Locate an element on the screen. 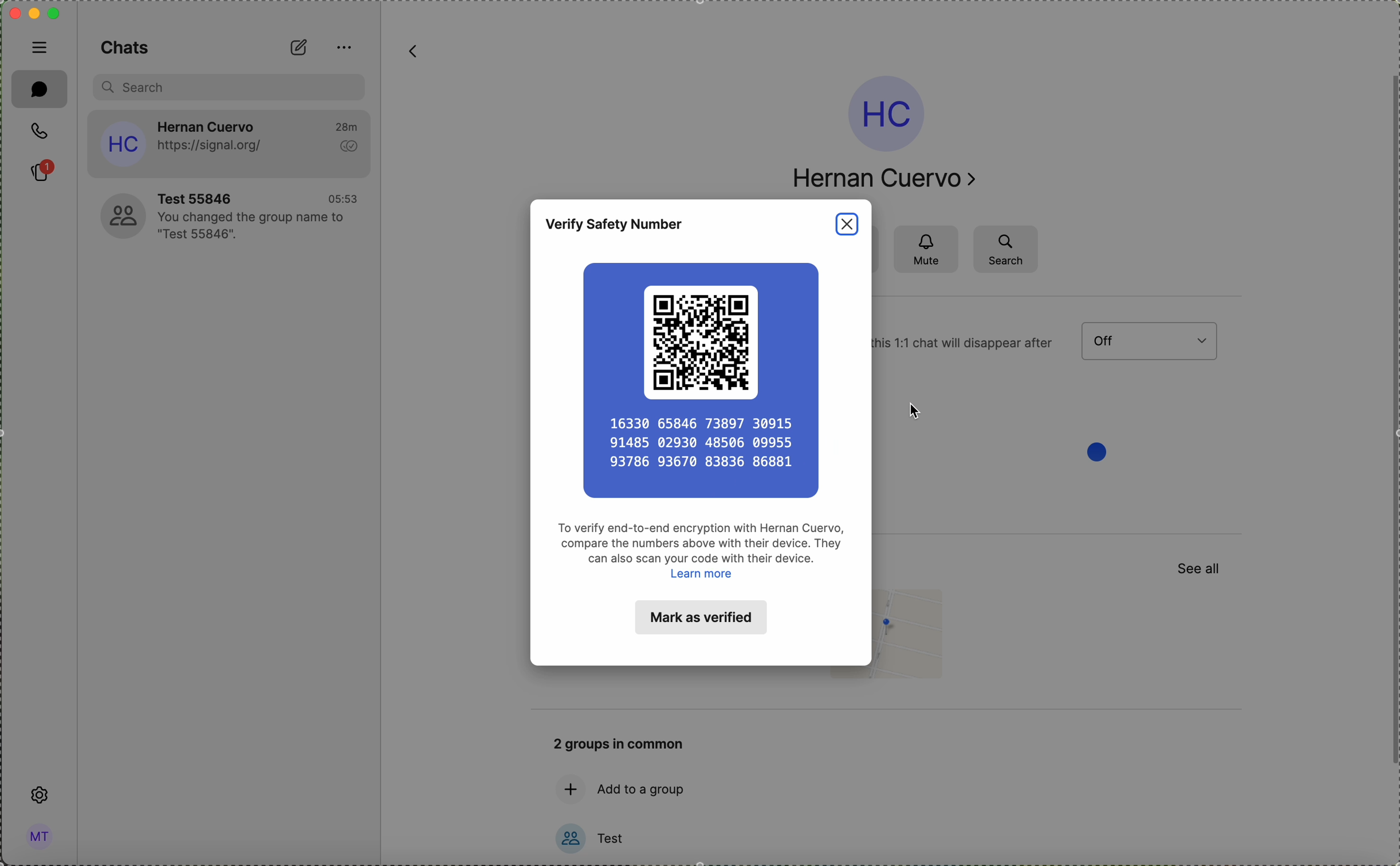 This screenshot has height=866, width=1400. menu is located at coordinates (1154, 341).